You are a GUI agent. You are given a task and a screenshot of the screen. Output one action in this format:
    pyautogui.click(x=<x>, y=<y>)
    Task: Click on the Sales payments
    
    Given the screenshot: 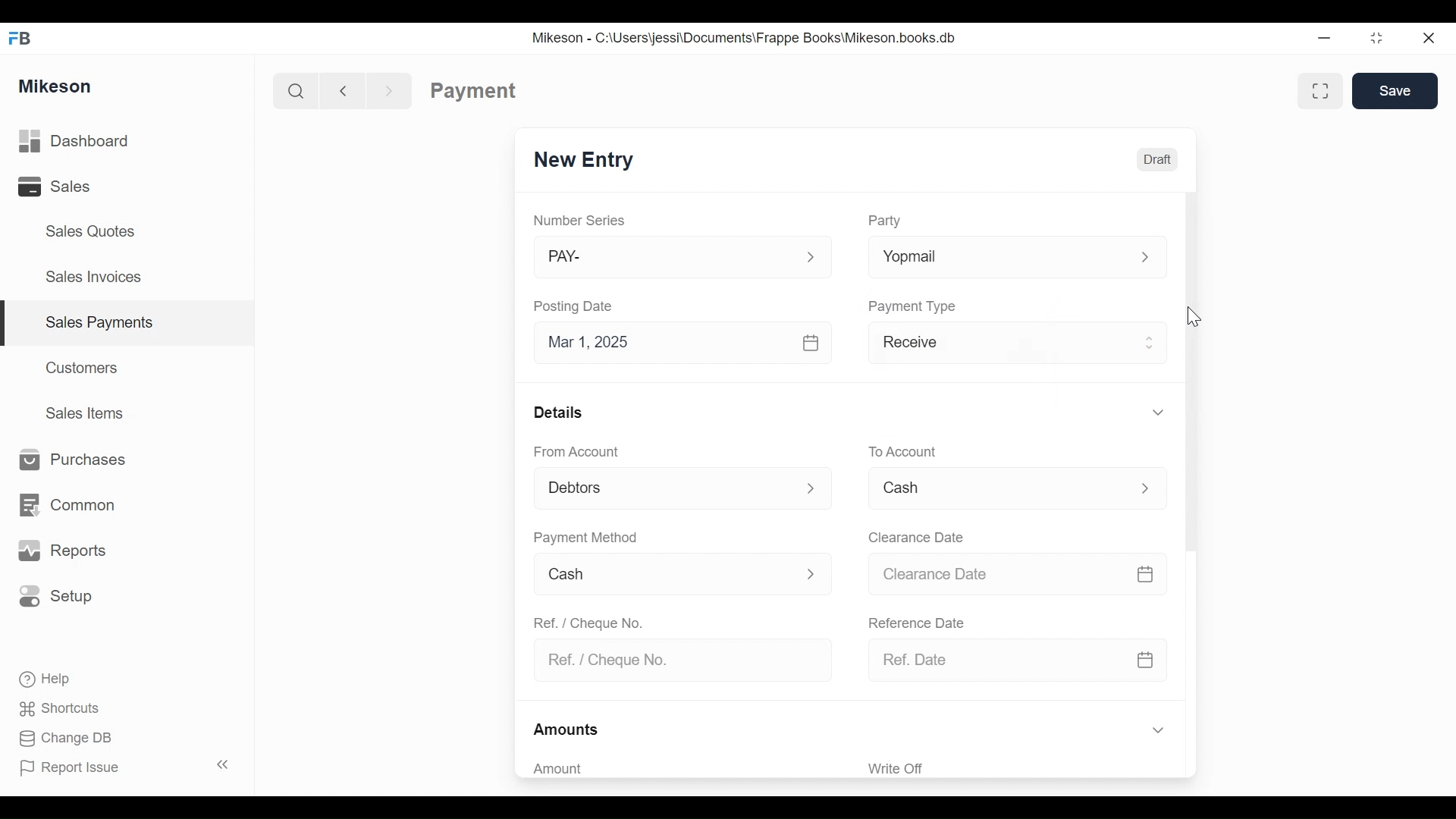 What is the action you would take?
    pyautogui.click(x=102, y=322)
    